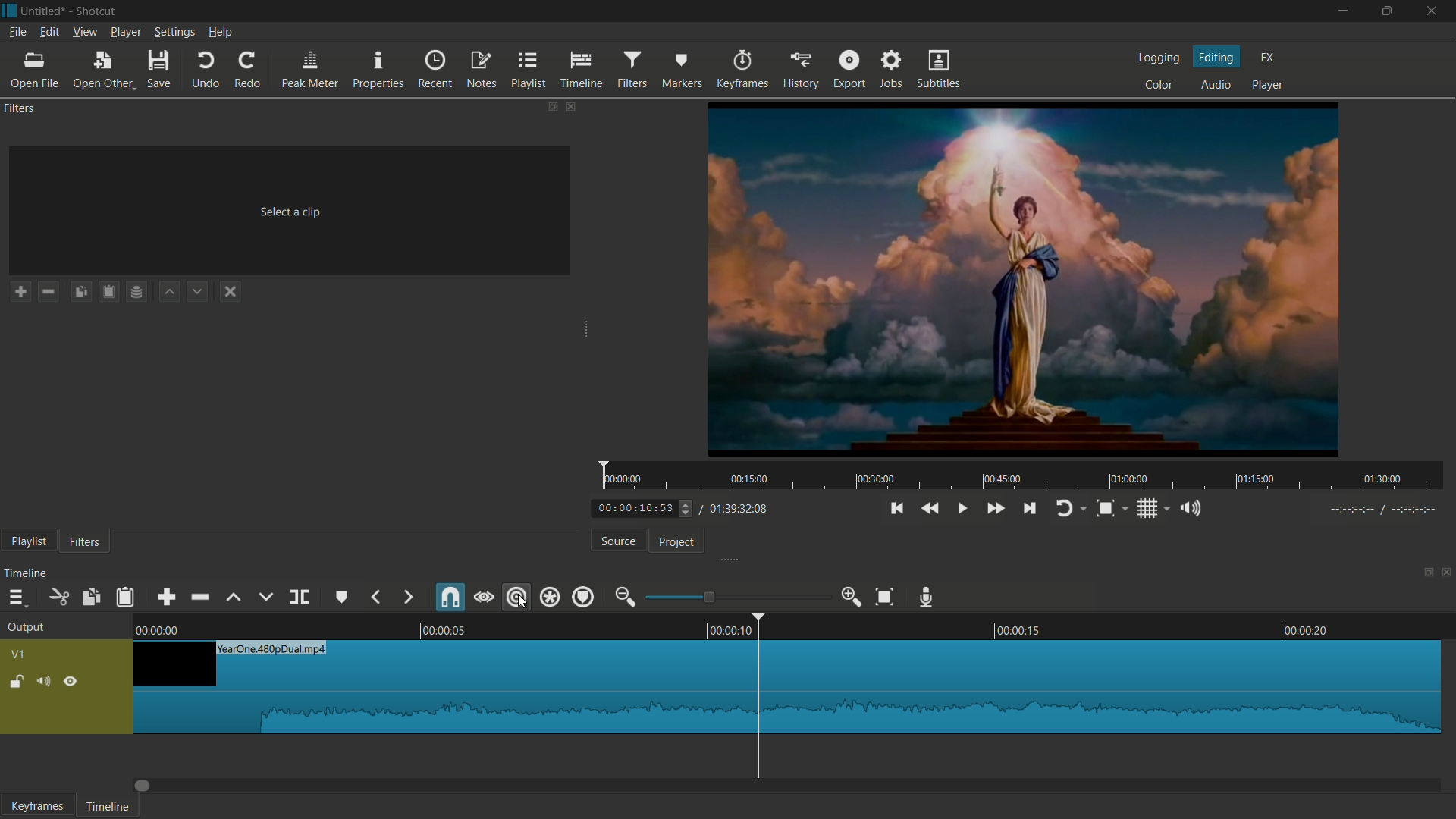 Image resolution: width=1456 pixels, height=819 pixels. I want to click on notes, so click(482, 70).